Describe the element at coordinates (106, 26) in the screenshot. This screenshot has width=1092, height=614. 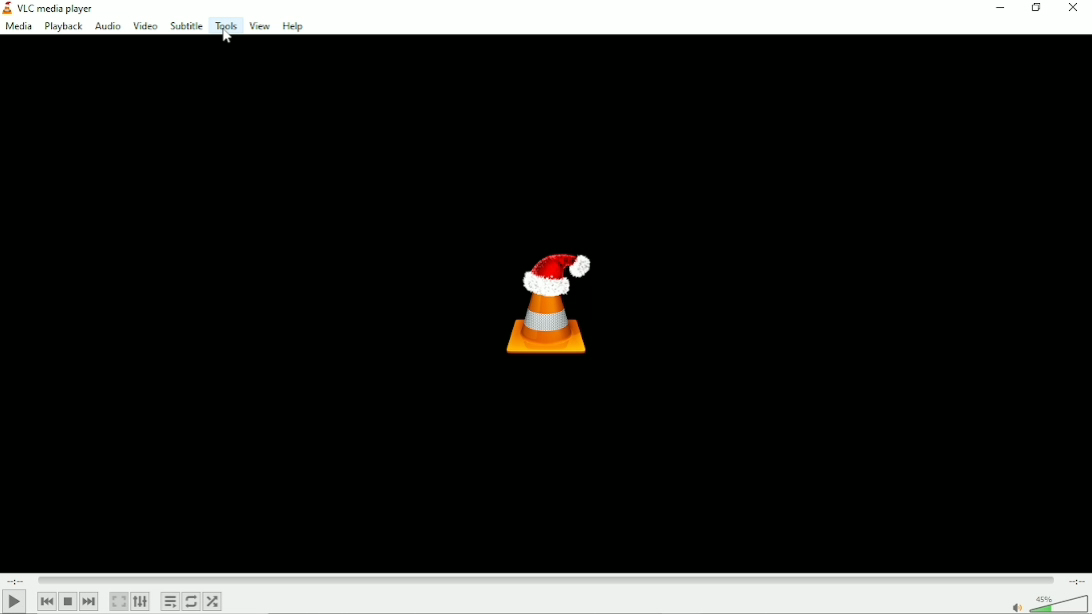
I see `Audio` at that location.